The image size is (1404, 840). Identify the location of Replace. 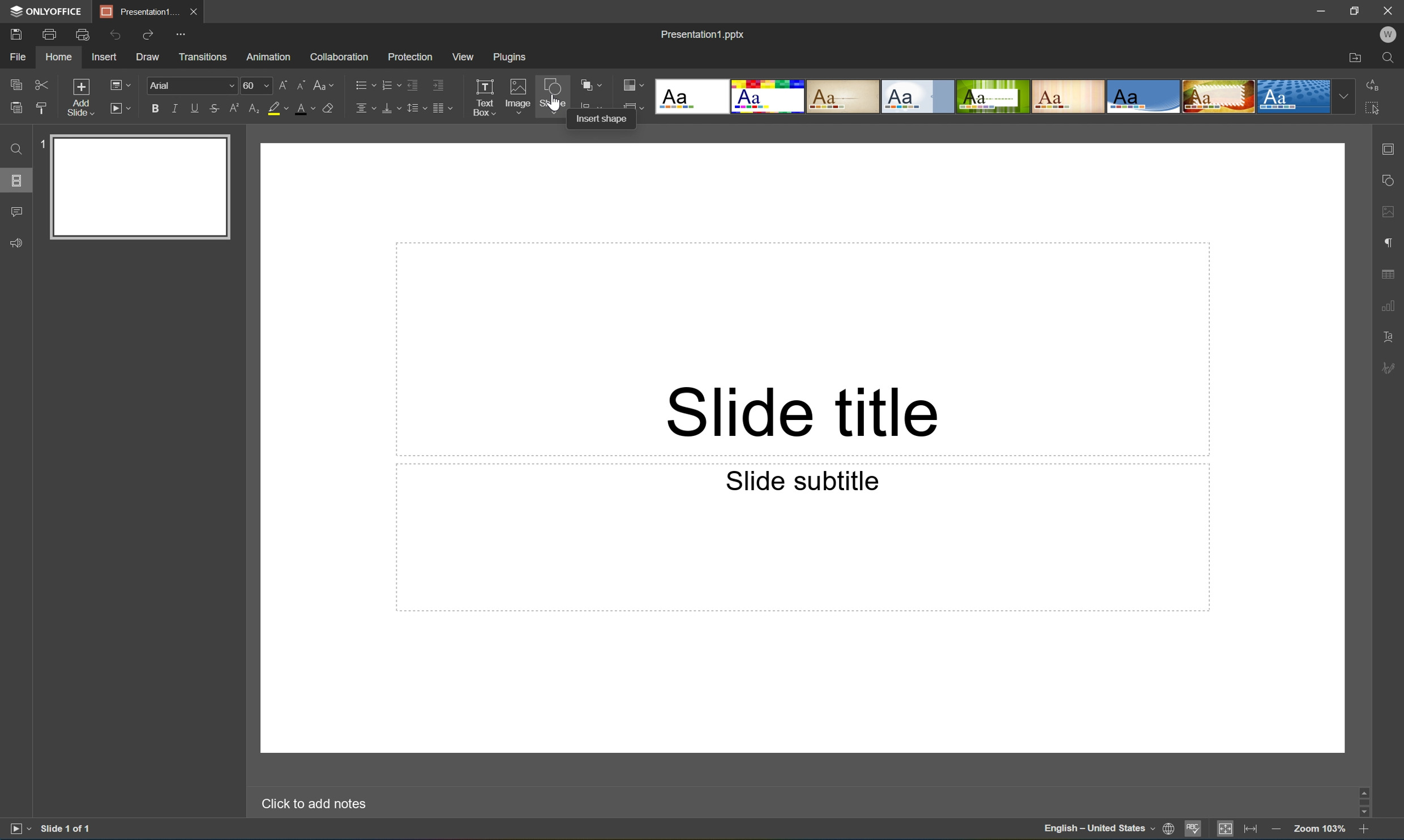
(1376, 84).